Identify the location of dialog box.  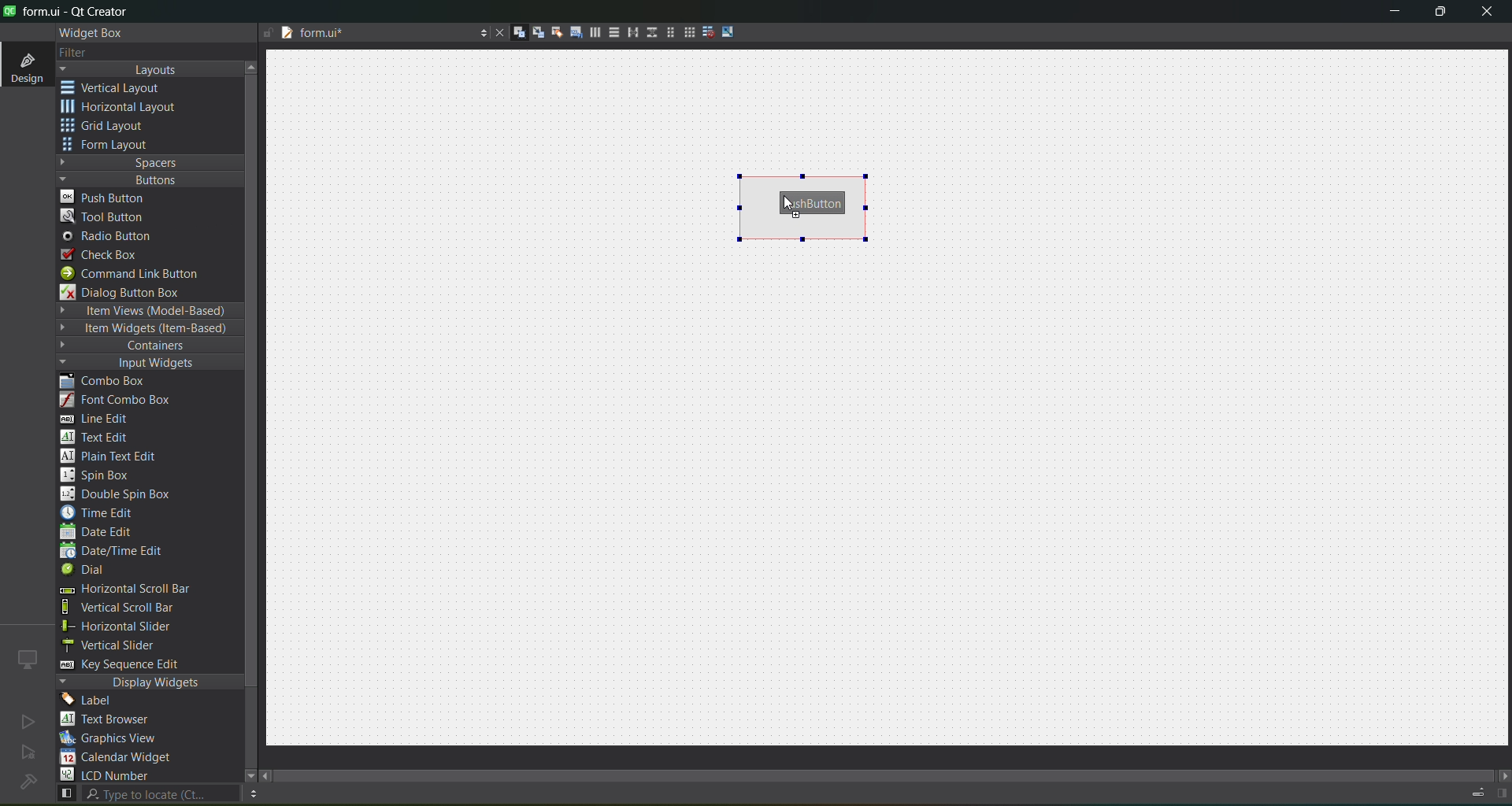
(132, 292).